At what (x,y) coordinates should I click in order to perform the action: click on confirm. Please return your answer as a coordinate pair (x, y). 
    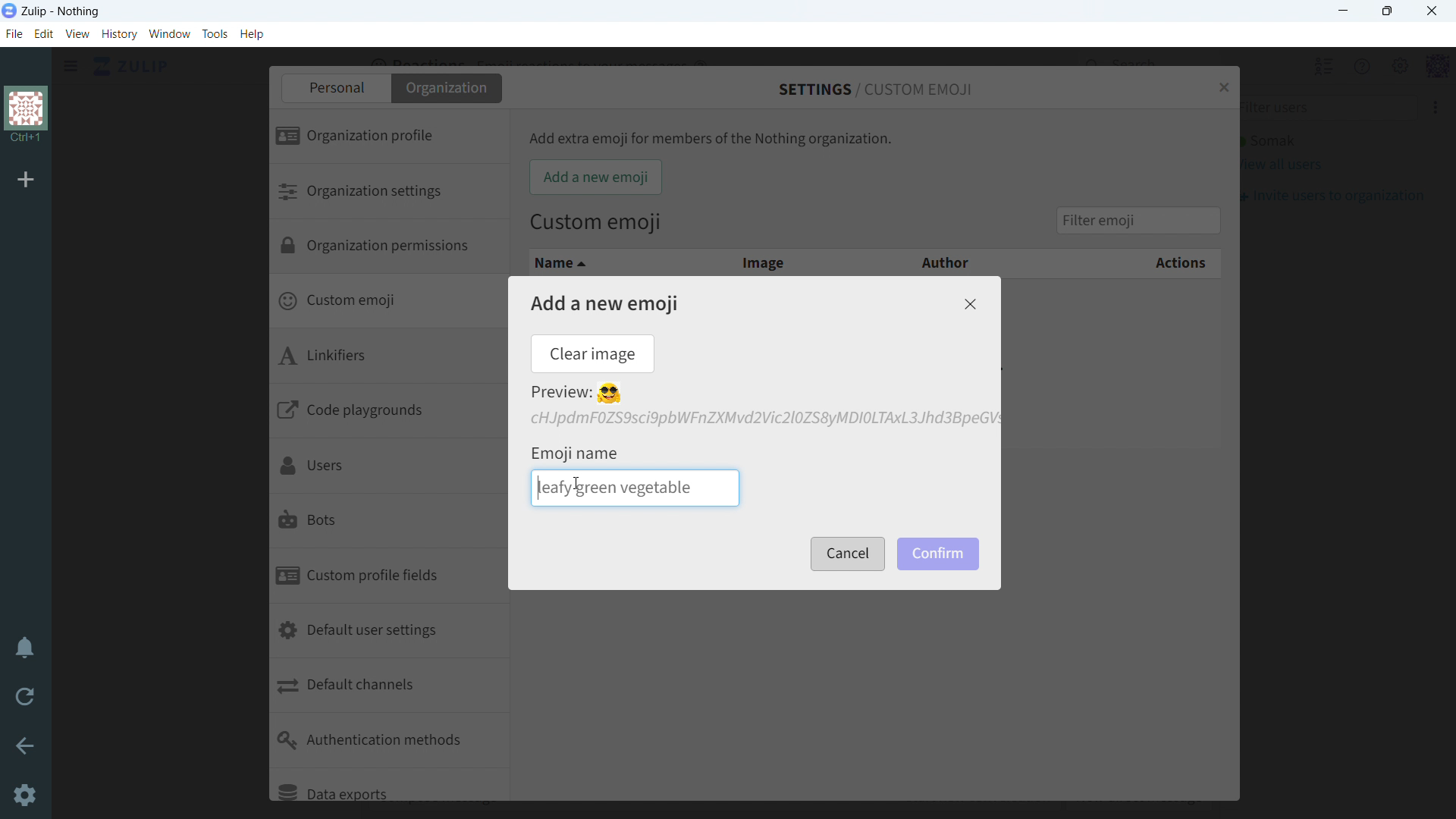
    Looking at the image, I should click on (940, 554).